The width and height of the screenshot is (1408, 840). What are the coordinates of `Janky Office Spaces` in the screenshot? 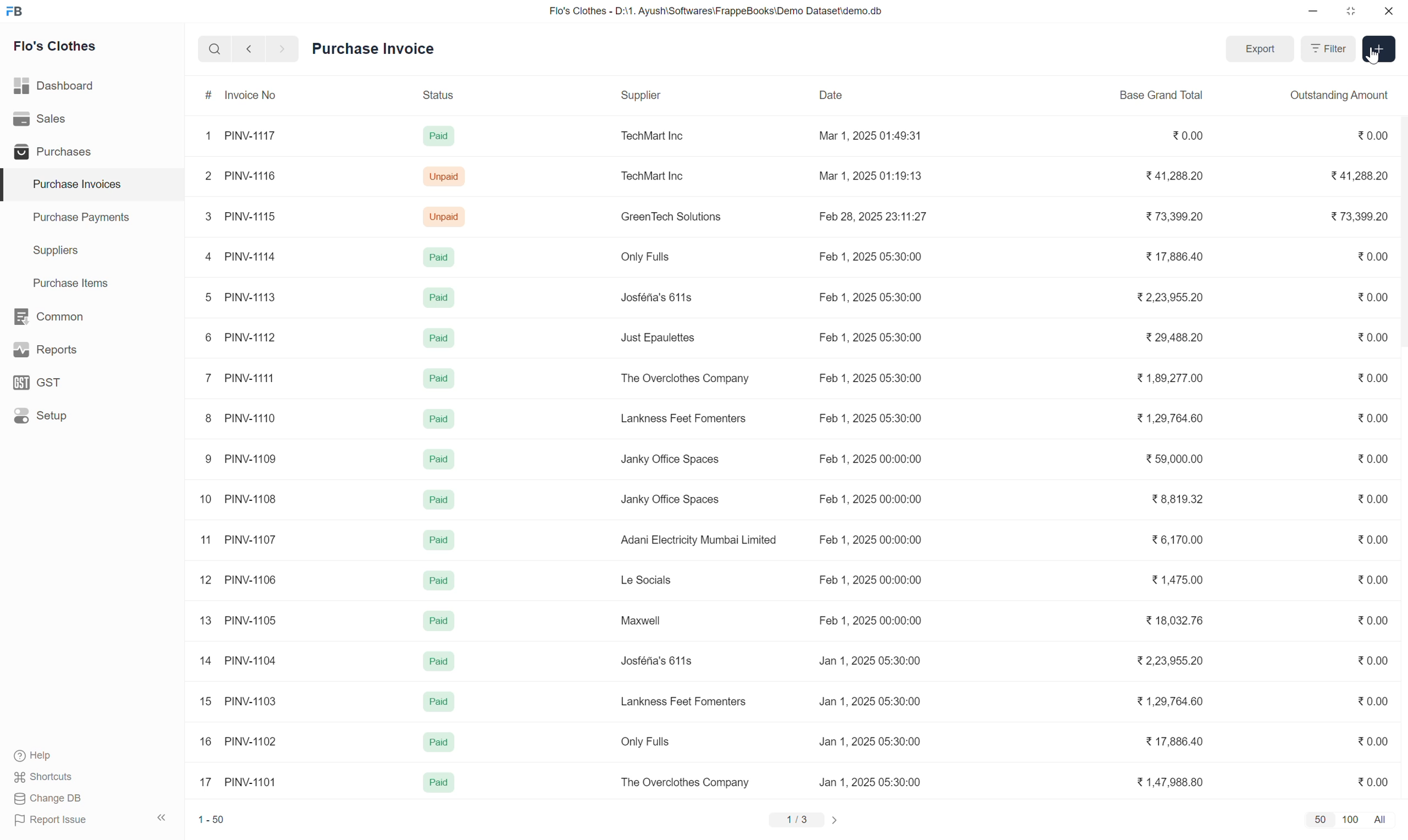 It's located at (671, 500).